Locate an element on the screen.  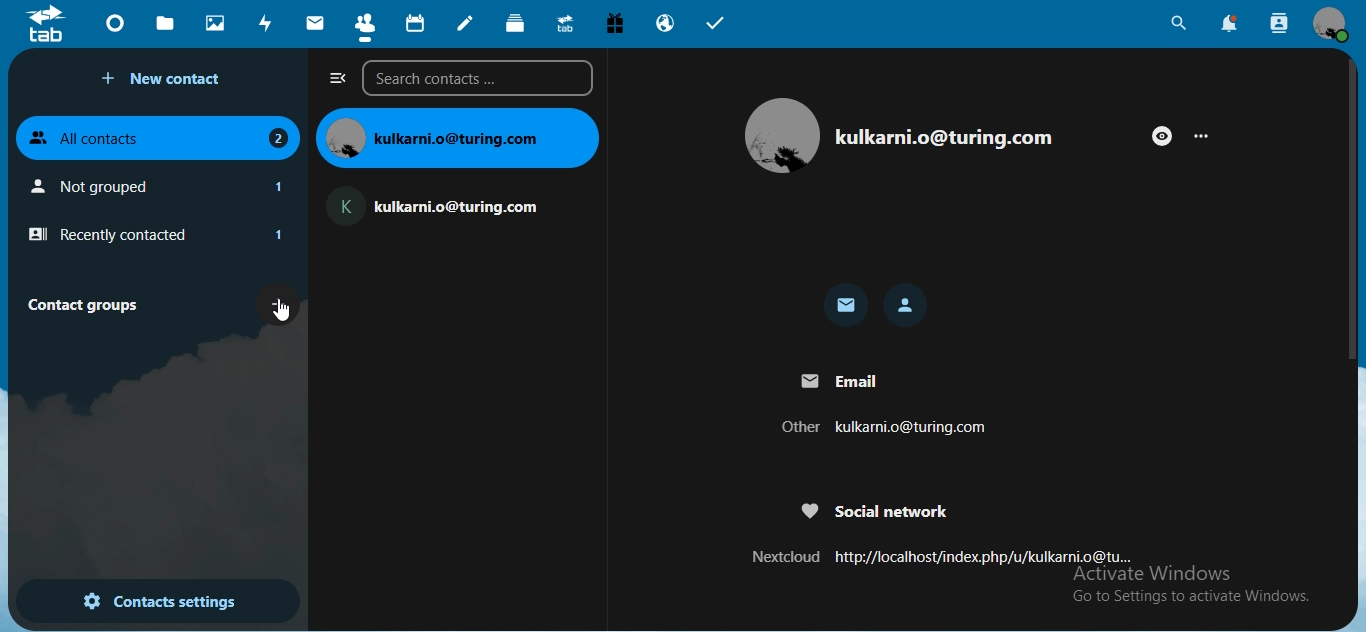
add is located at coordinates (280, 302).